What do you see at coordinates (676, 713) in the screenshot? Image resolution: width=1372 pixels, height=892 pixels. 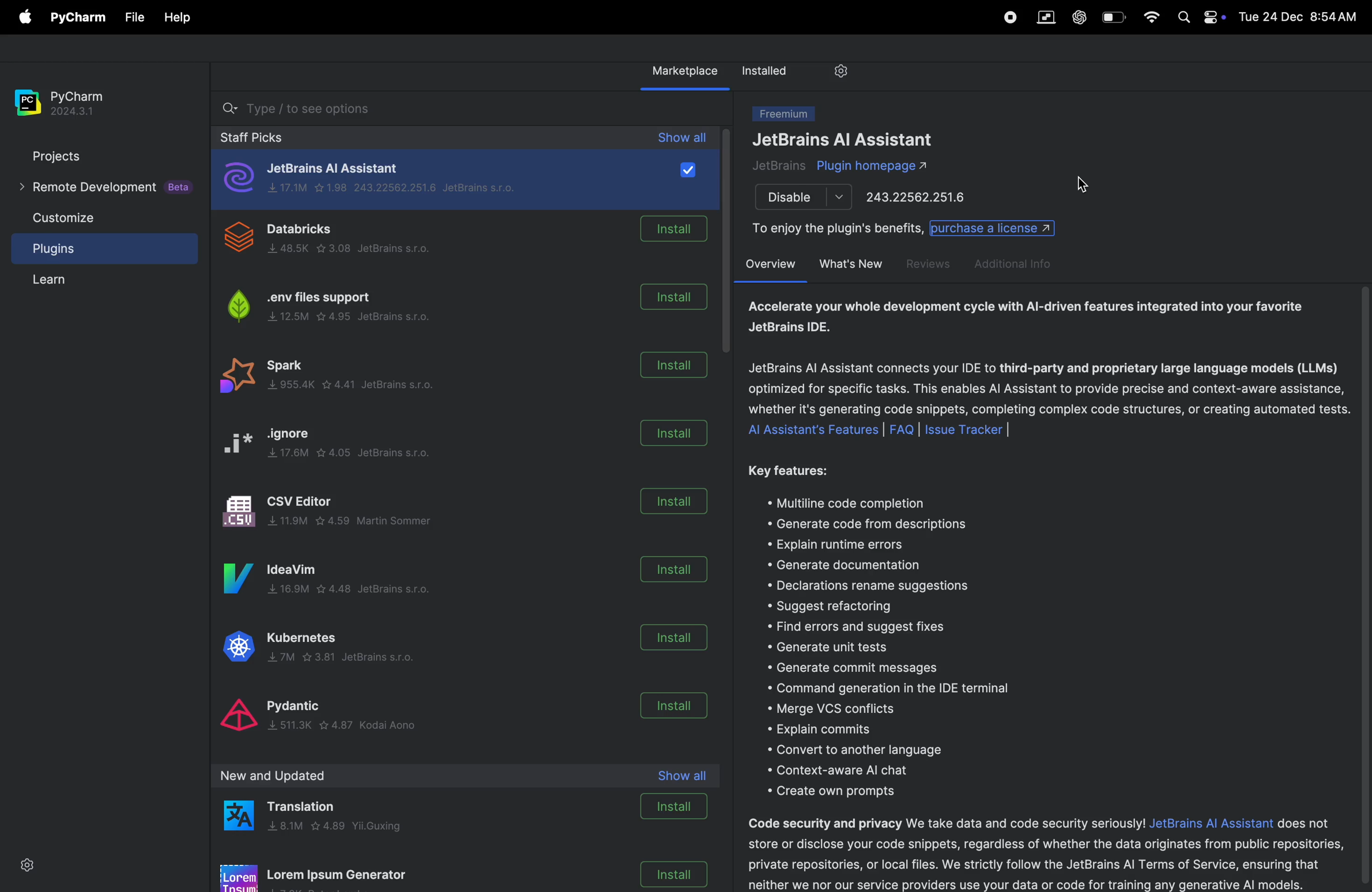 I see `install` at bounding box center [676, 713].